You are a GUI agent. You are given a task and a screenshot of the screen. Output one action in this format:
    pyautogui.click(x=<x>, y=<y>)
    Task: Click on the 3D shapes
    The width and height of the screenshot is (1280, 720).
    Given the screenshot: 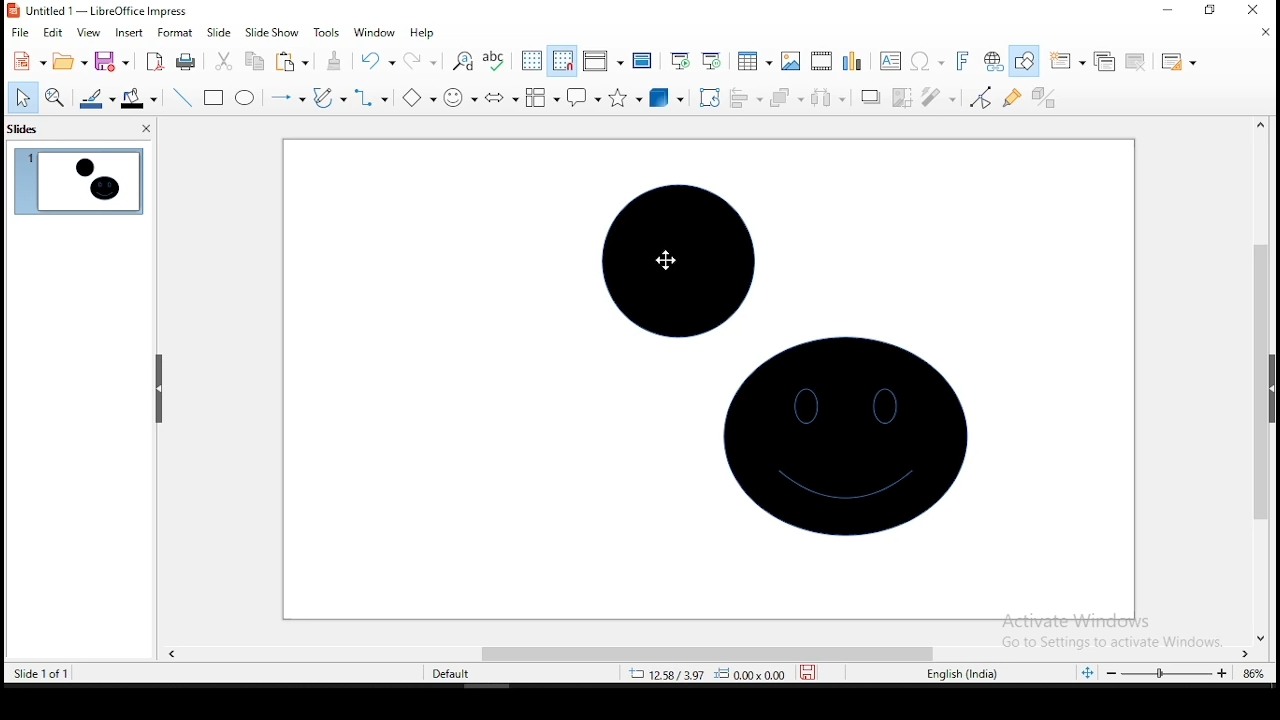 What is the action you would take?
    pyautogui.click(x=667, y=99)
    